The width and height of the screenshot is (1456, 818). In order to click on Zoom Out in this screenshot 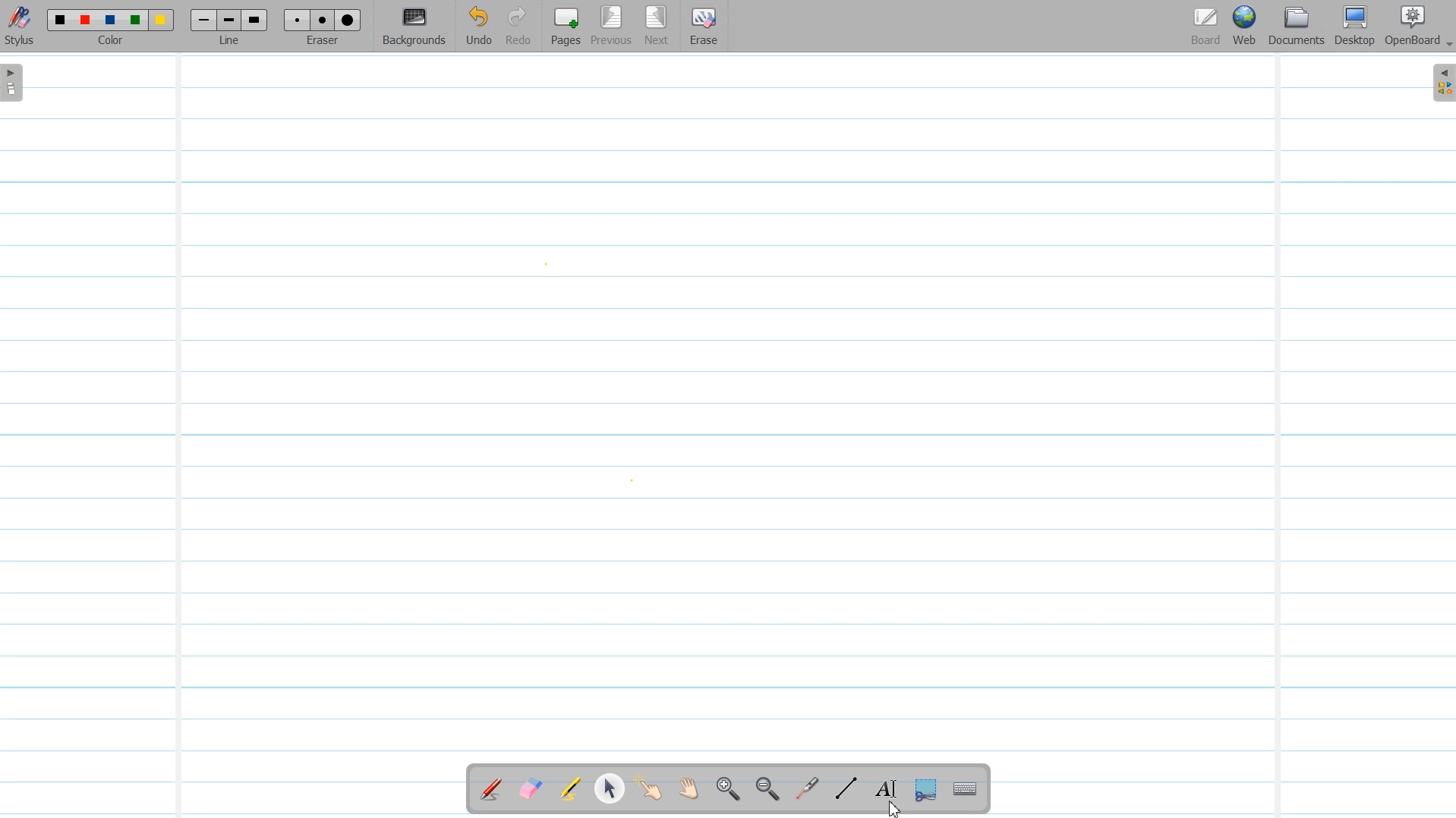, I will do `click(764, 790)`.